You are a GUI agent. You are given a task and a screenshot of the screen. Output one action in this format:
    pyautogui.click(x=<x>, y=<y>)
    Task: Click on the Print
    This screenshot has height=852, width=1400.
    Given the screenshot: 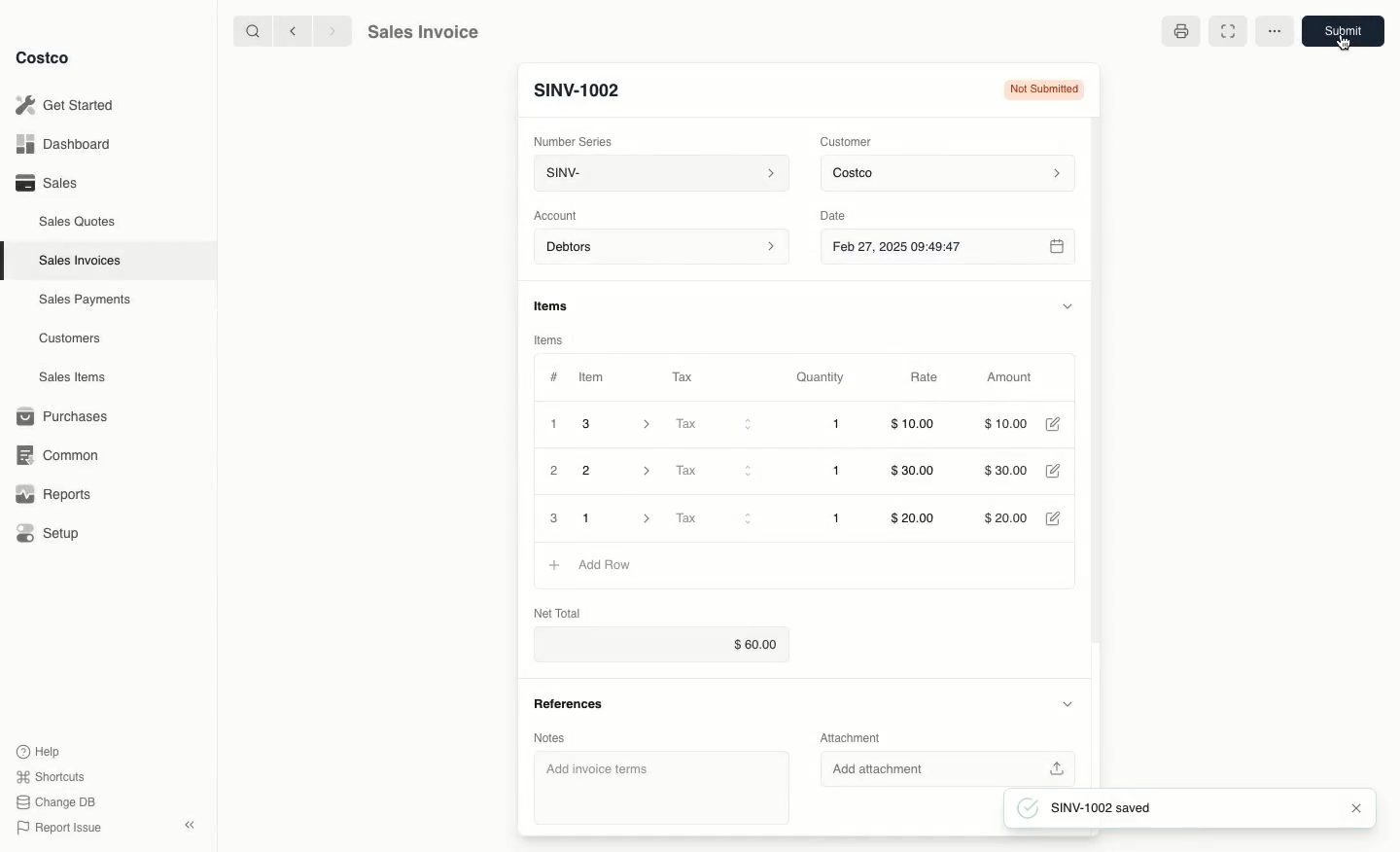 What is the action you would take?
    pyautogui.click(x=1180, y=35)
    